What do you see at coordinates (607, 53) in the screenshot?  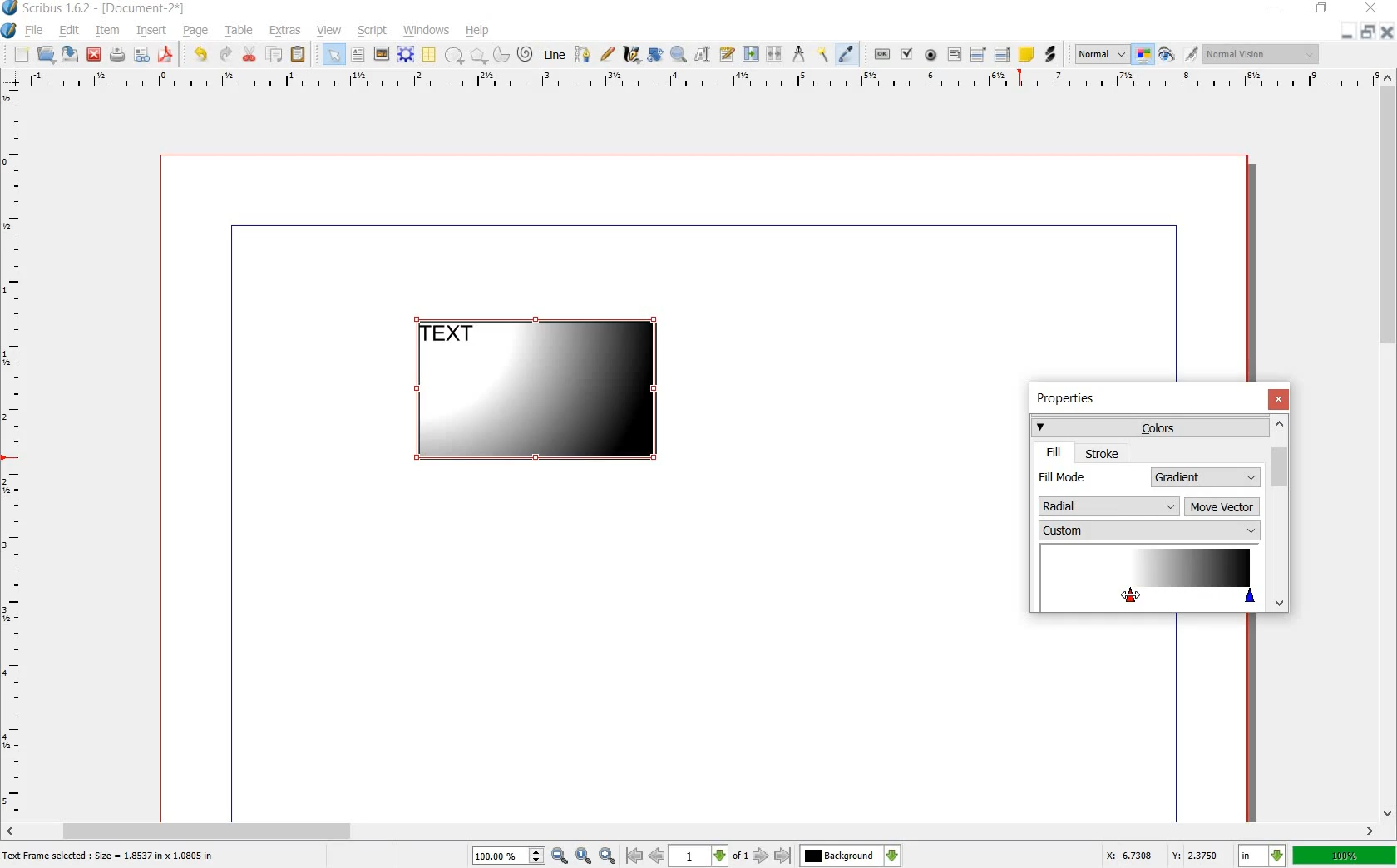 I see `freehand line` at bounding box center [607, 53].